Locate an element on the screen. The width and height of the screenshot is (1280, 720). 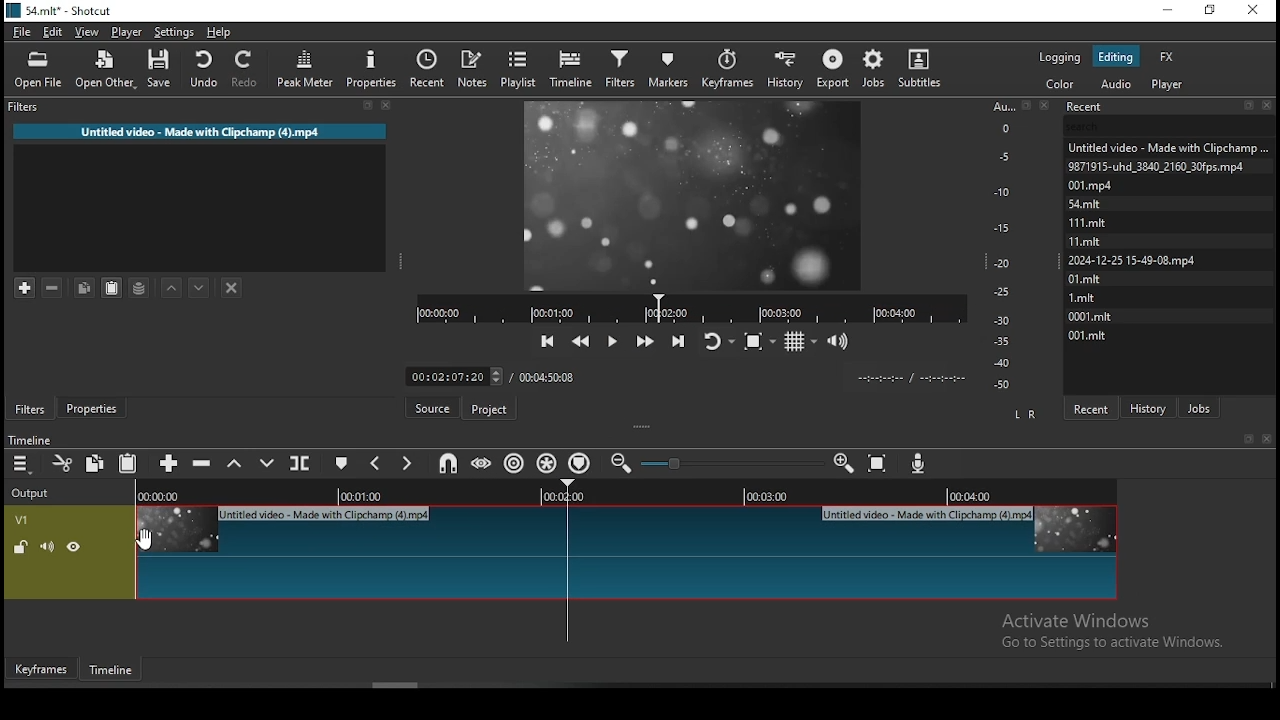
redo is located at coordinates (247, 69).